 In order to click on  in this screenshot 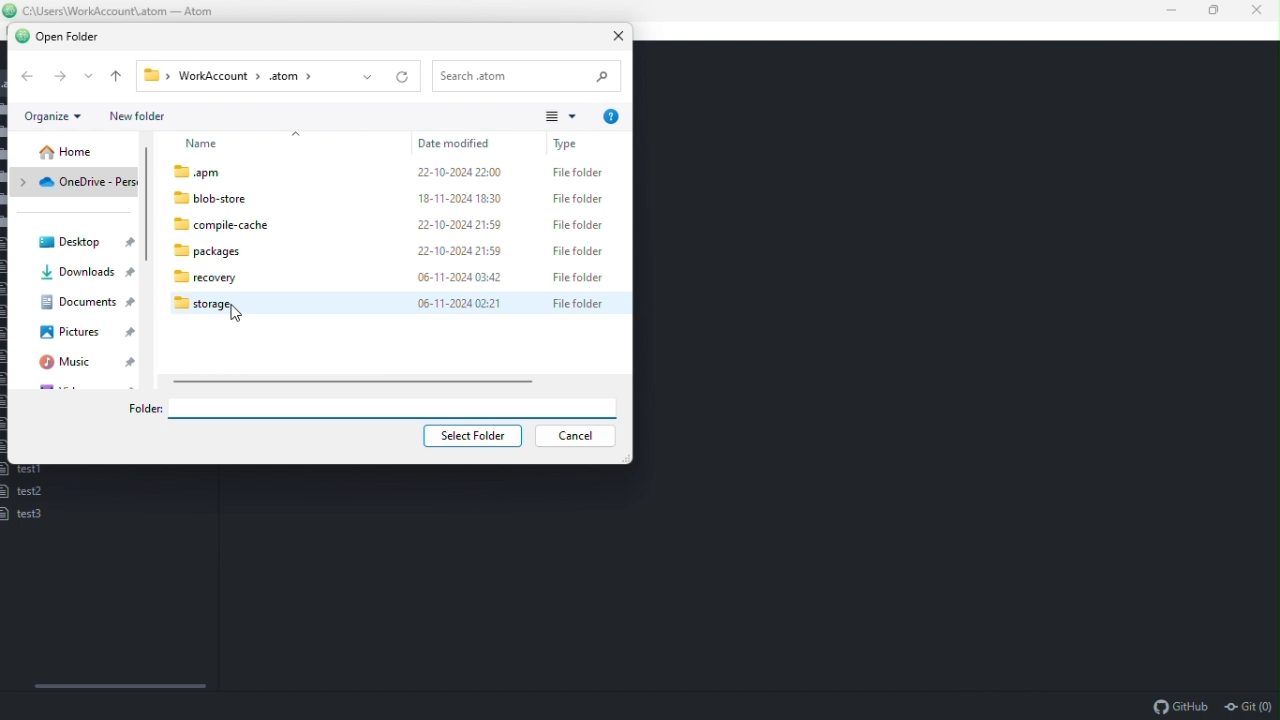, I will do `click(23, 76)`.